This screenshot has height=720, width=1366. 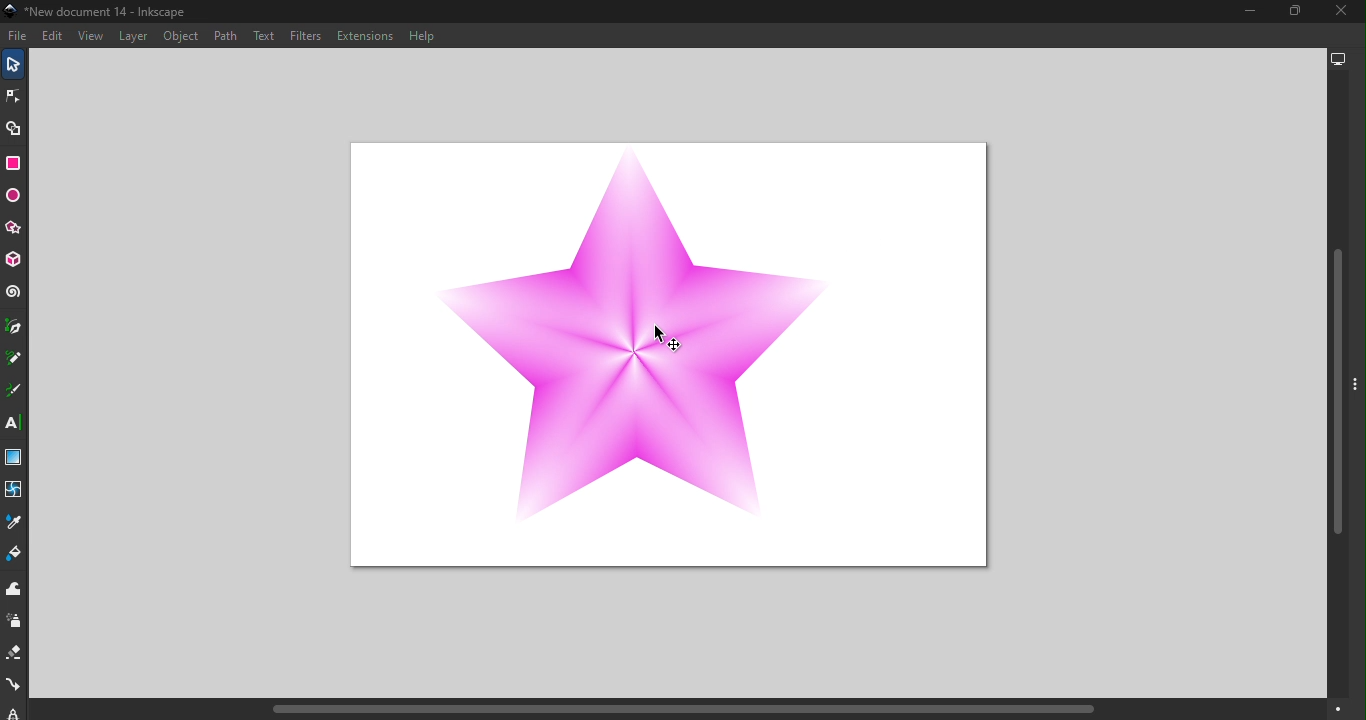 I want to click on Help, so click(x=421, y=37).